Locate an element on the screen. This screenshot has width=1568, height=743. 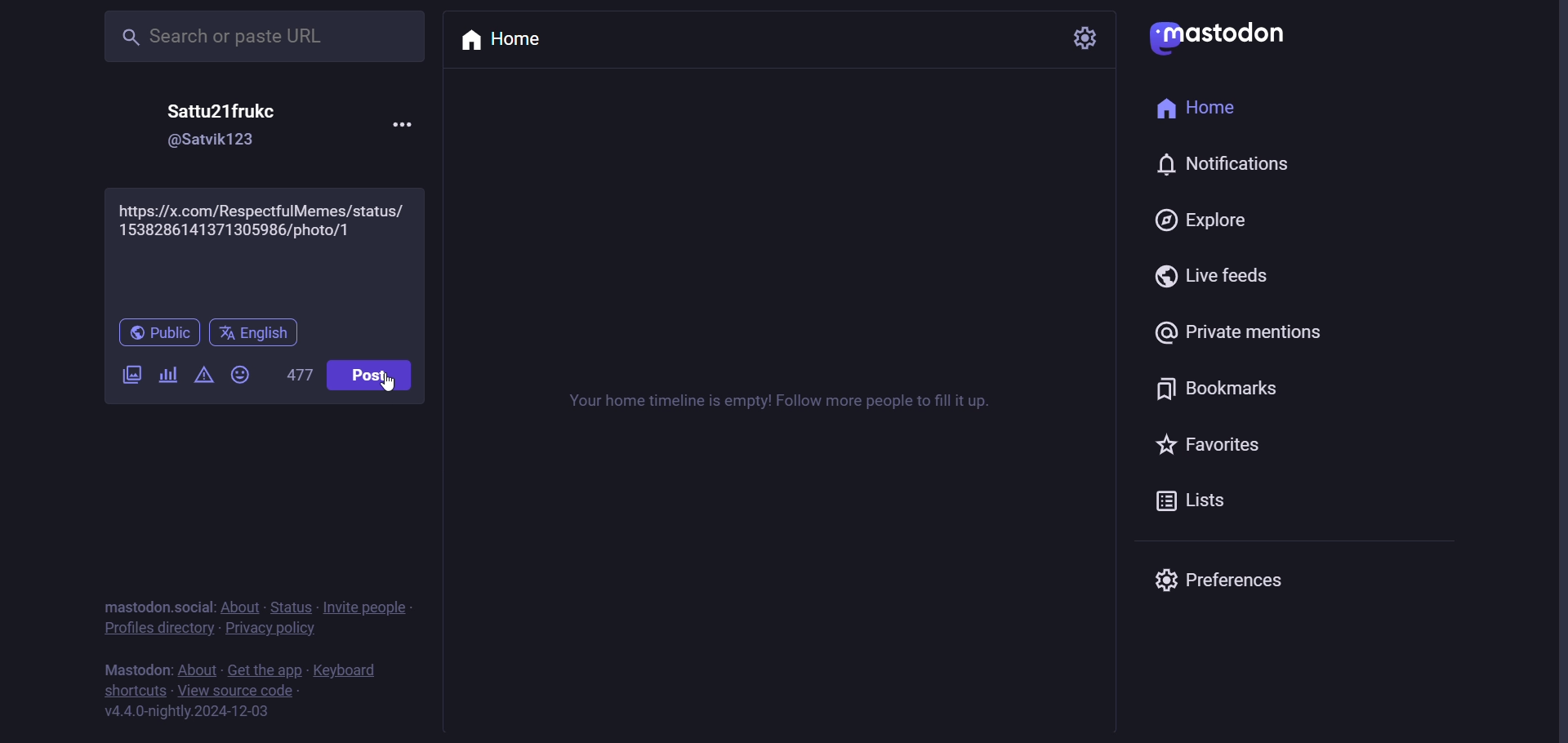
status is located at coordinates (291, 608).